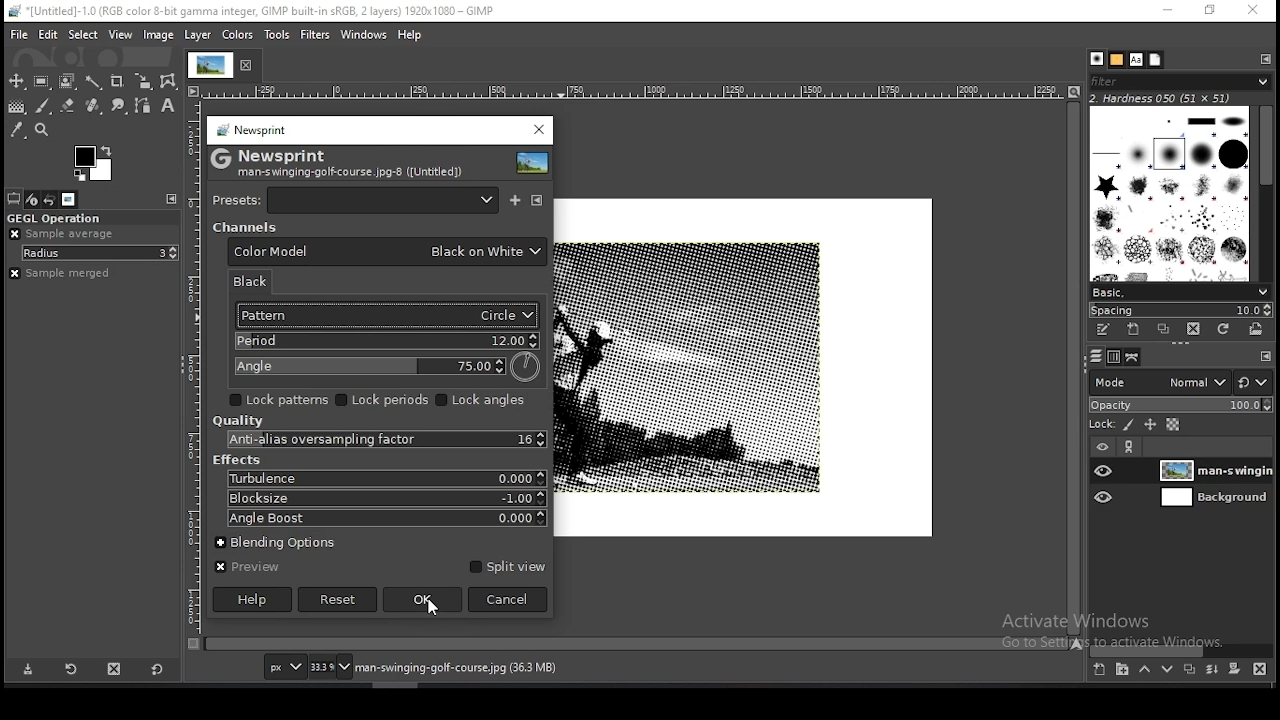 This screenshot has height=720, width=1280. I want to click on scroll bar, so click(1182, 649).